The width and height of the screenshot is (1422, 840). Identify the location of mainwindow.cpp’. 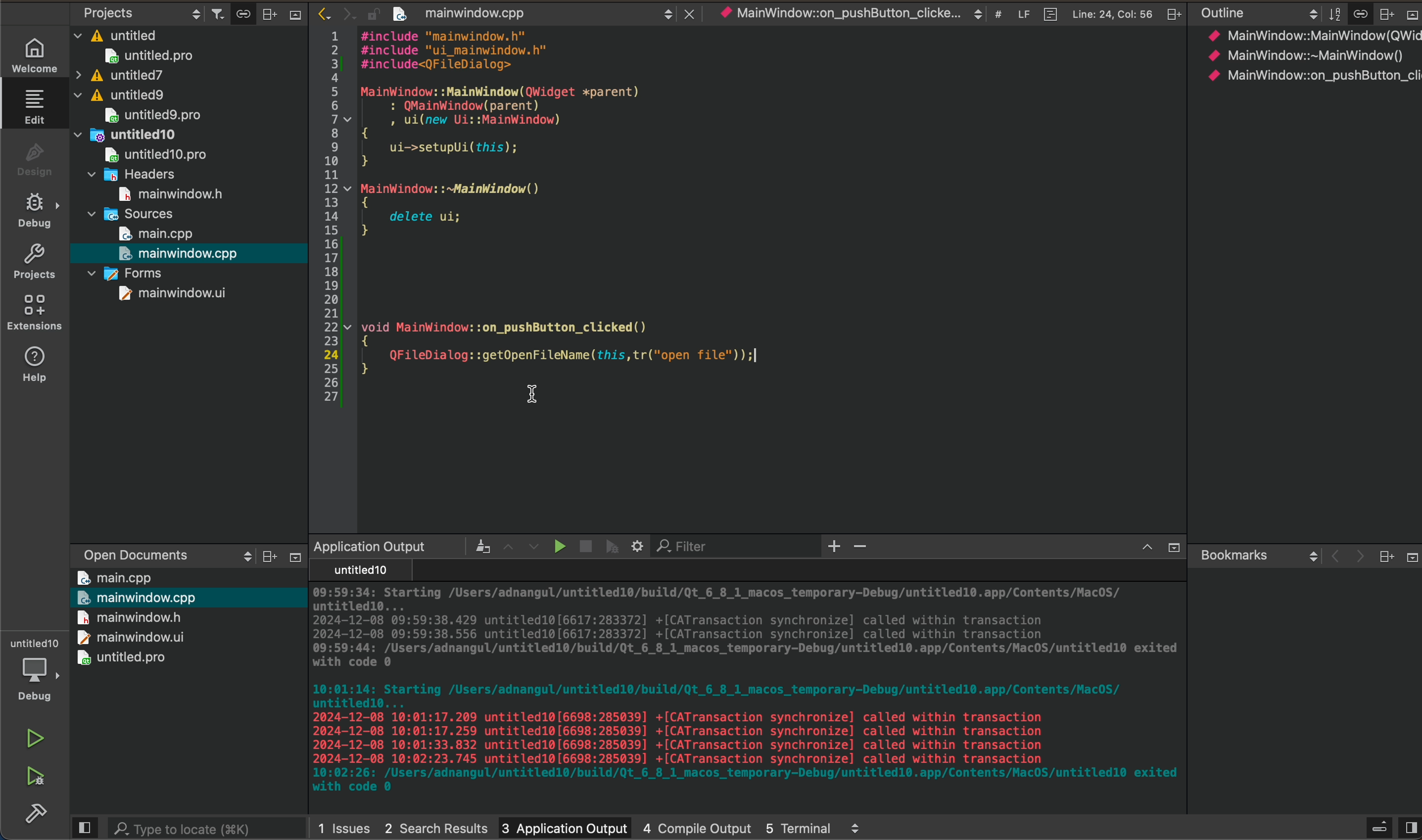
(139, 596).